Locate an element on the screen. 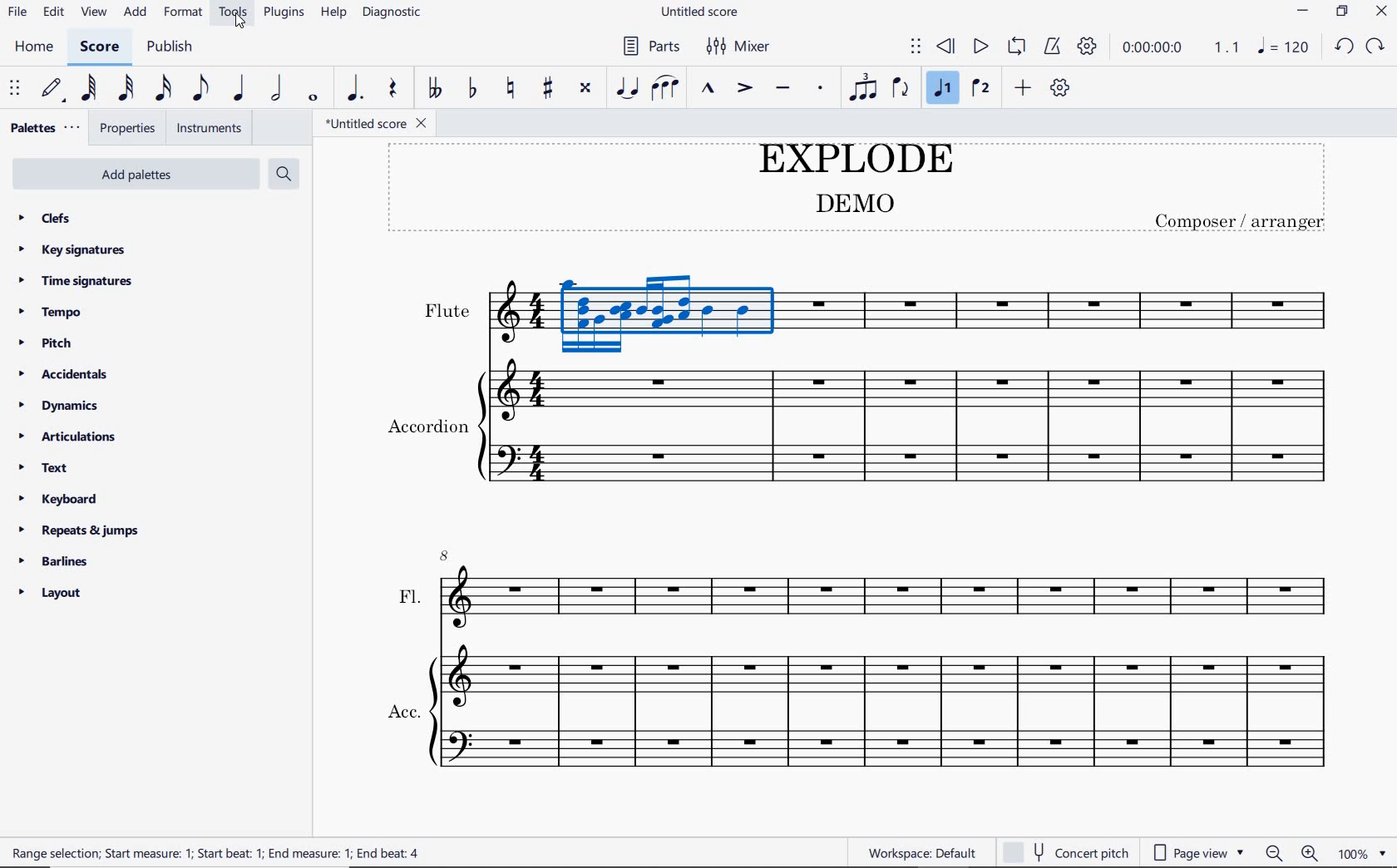 The height and width of the screenshot is (868, 1397). barlines is located at coordinates (57, 562).